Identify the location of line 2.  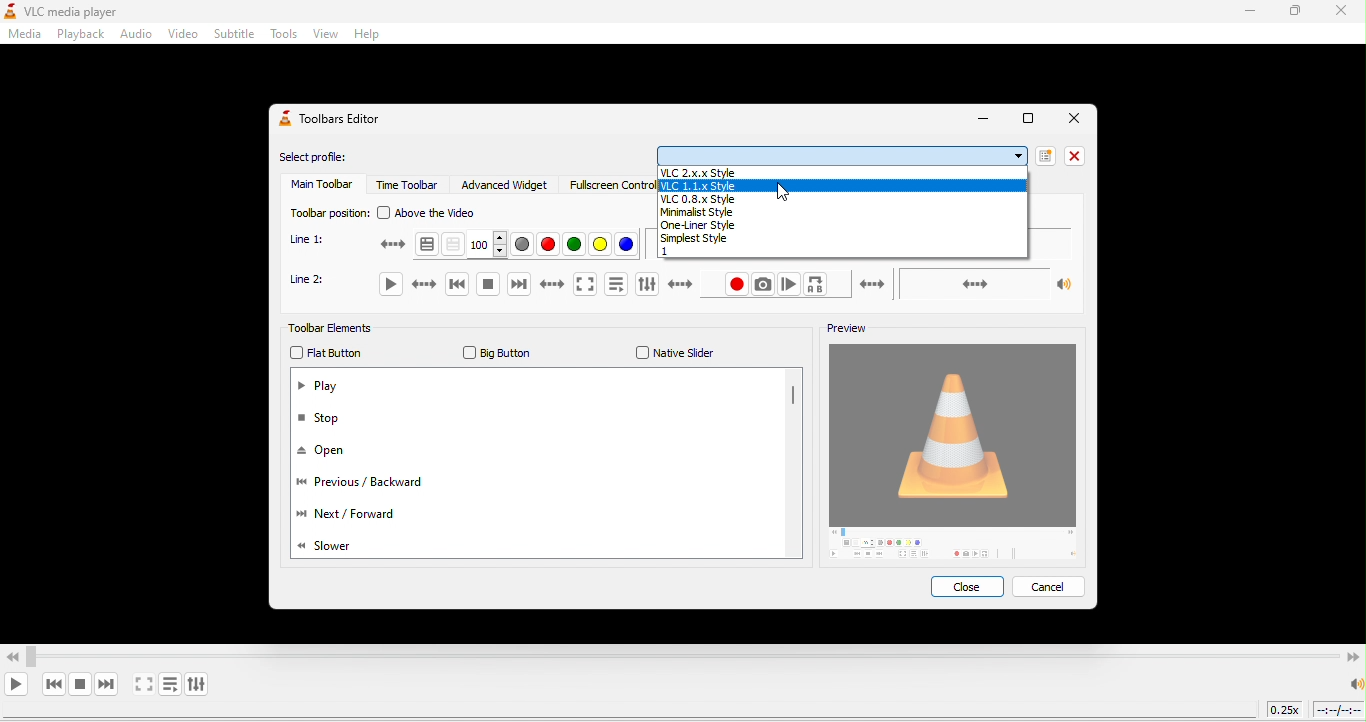
(316, 286).